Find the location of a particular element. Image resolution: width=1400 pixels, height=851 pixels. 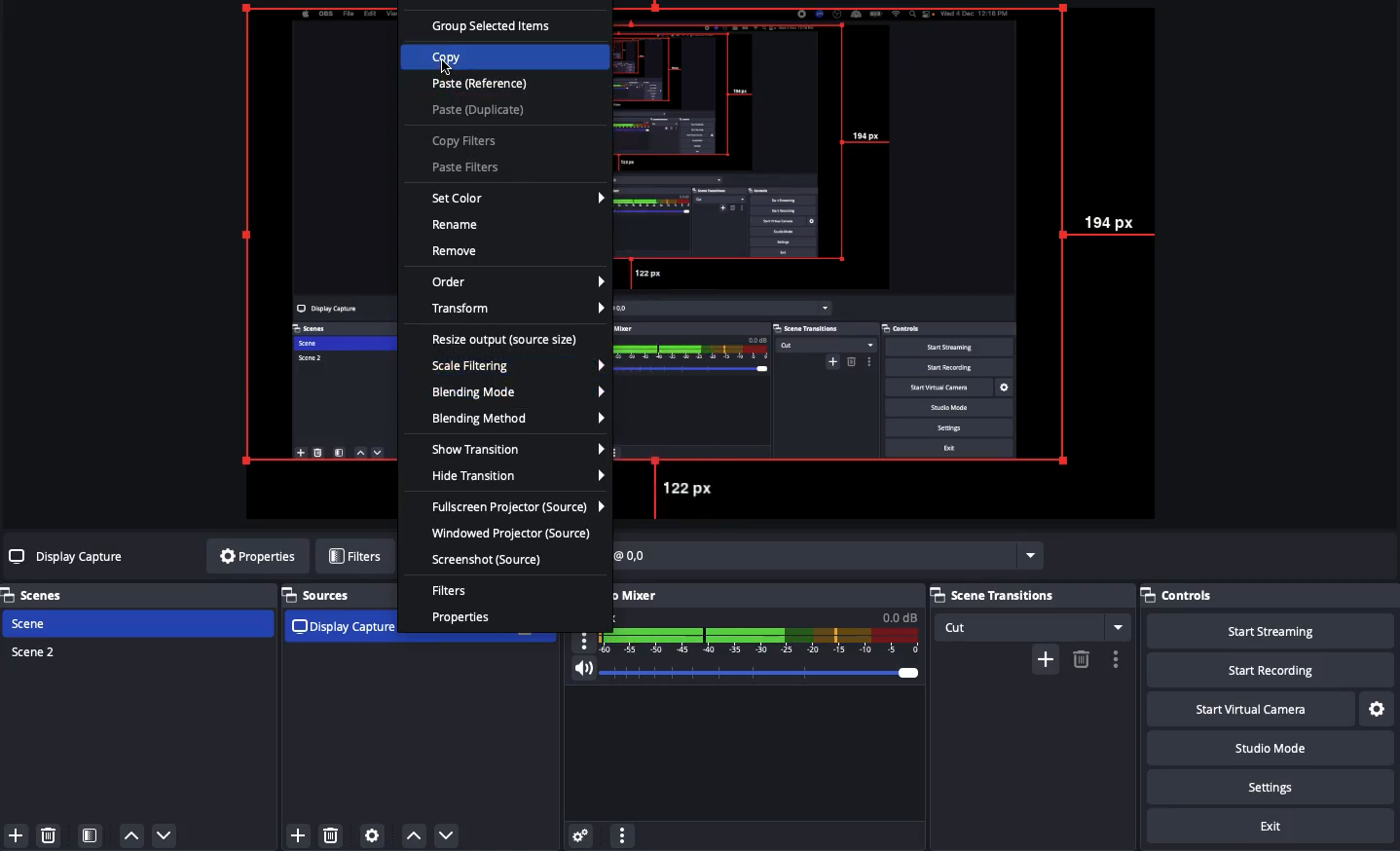

previous is located at coordinates (414, 835).